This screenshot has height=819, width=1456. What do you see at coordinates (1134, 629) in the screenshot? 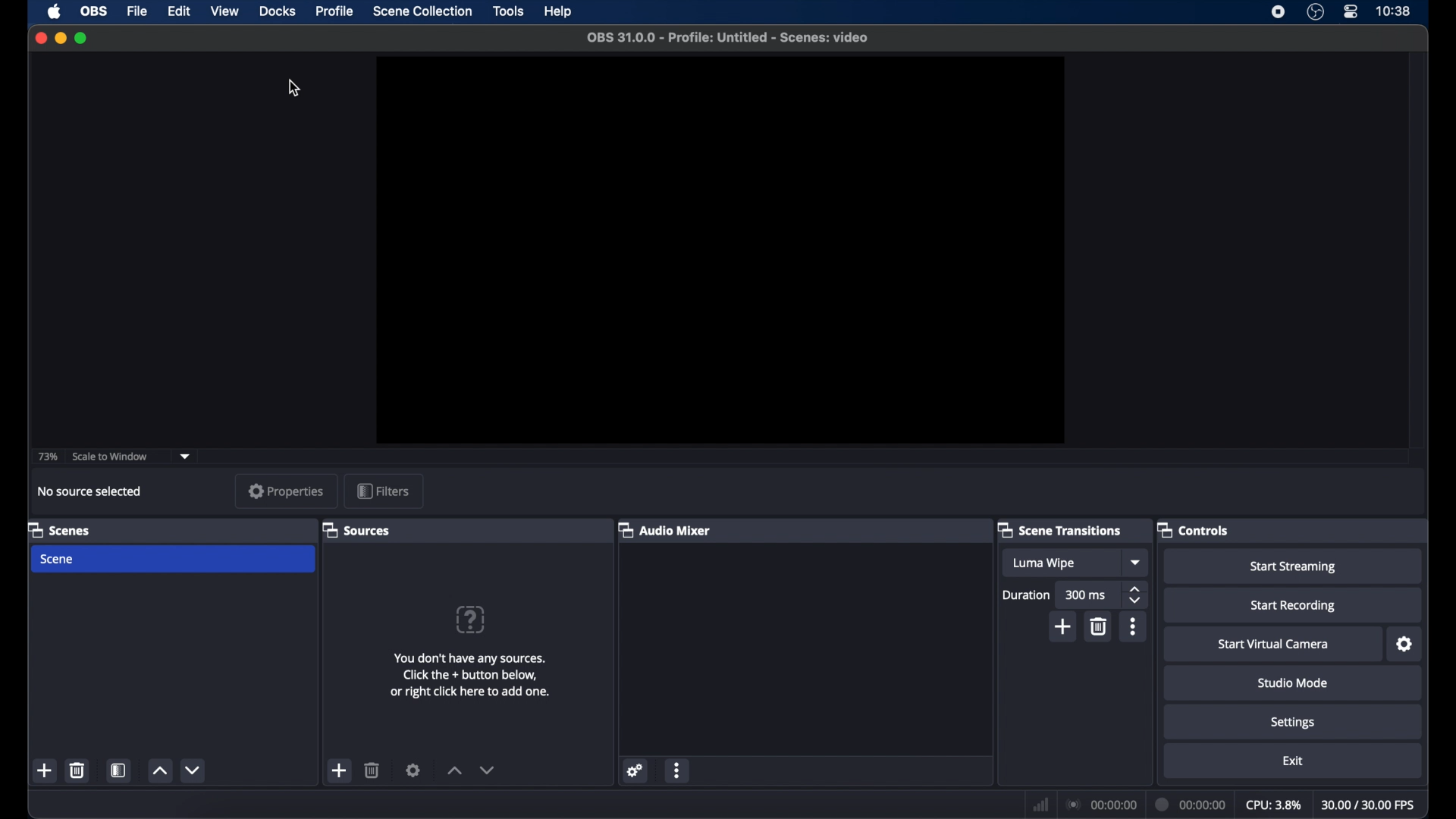
I see `more options` at bounding box center [1134, 629].